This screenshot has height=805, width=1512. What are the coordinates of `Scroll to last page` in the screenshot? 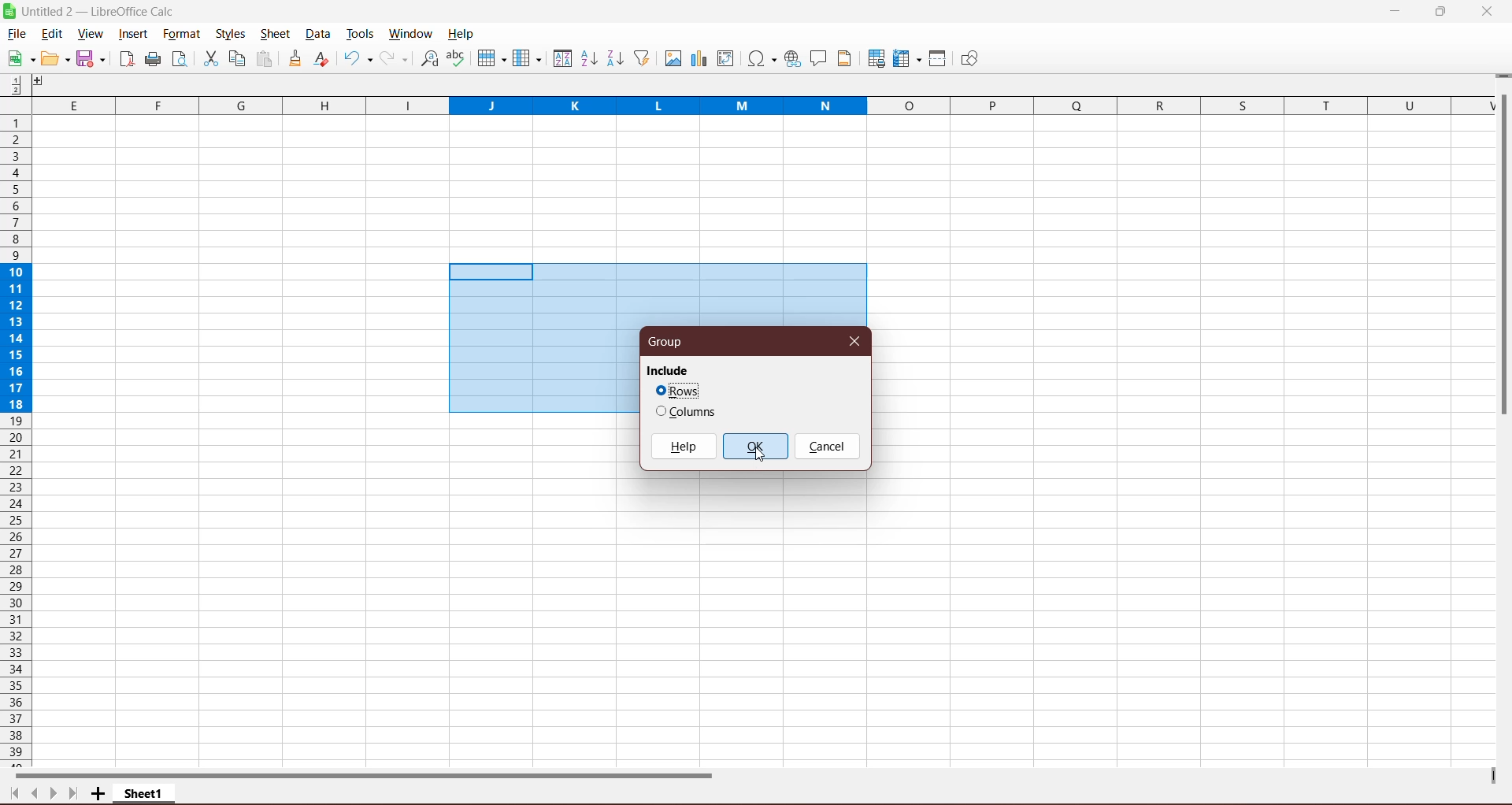 It's located at (72, 795).